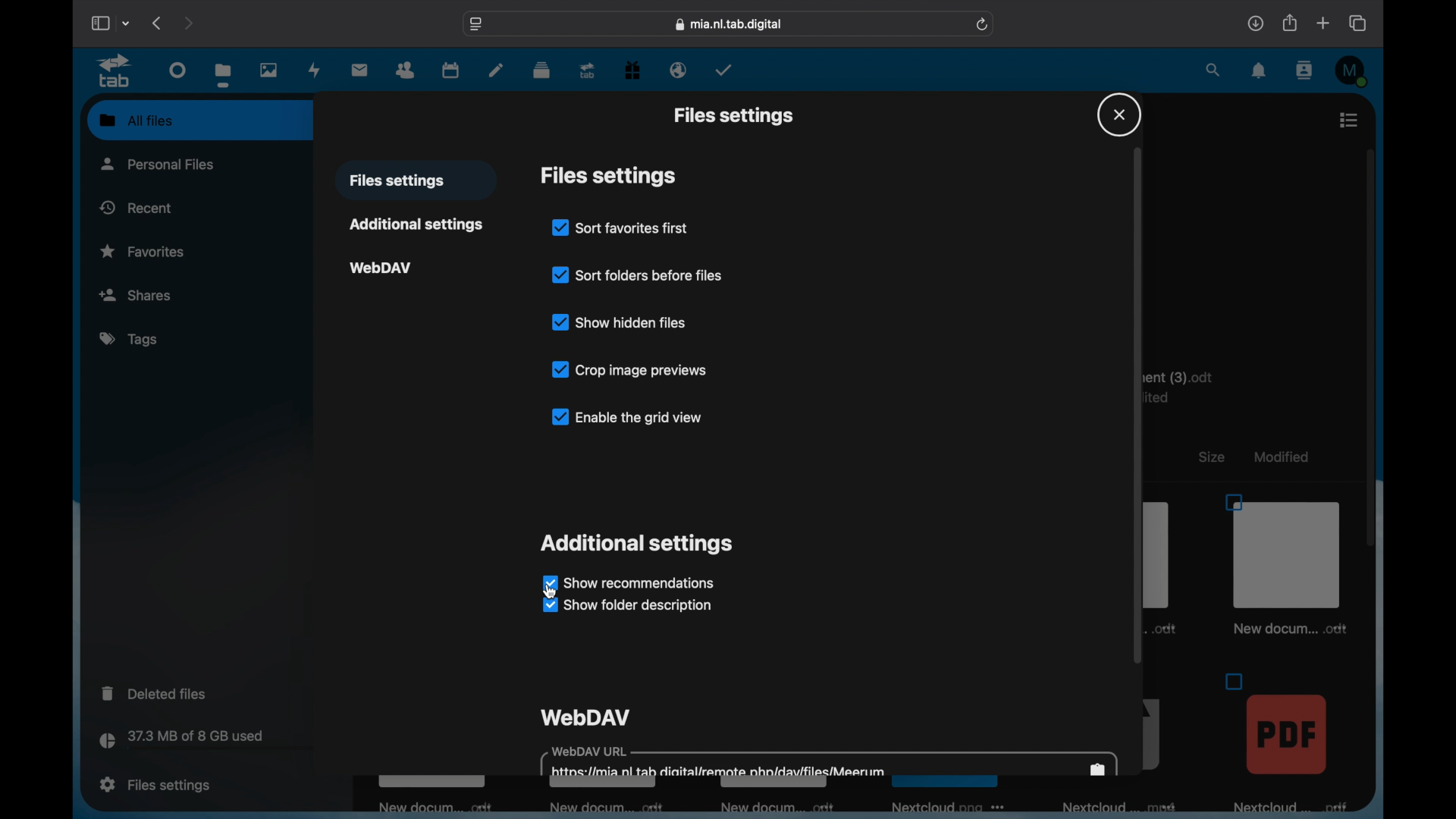 This screenshot has height=819, width=1456. I want to click on new tab, so click(1323, 23).